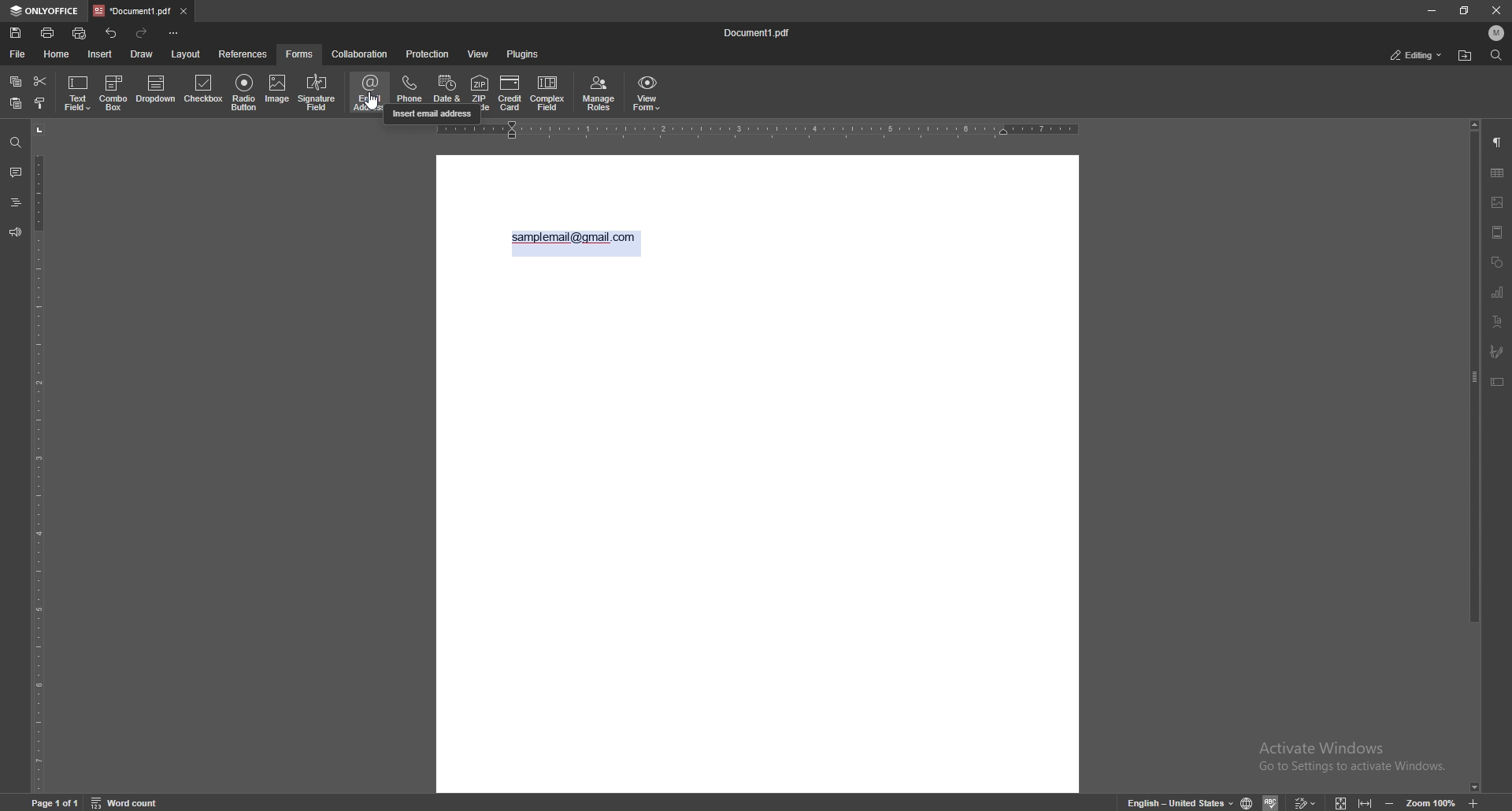 Image resolution: width=1512 pixels, height=811 pixels. Describe the element at coordinates (1495, 54) in the screenshot. I see `find` at that location.